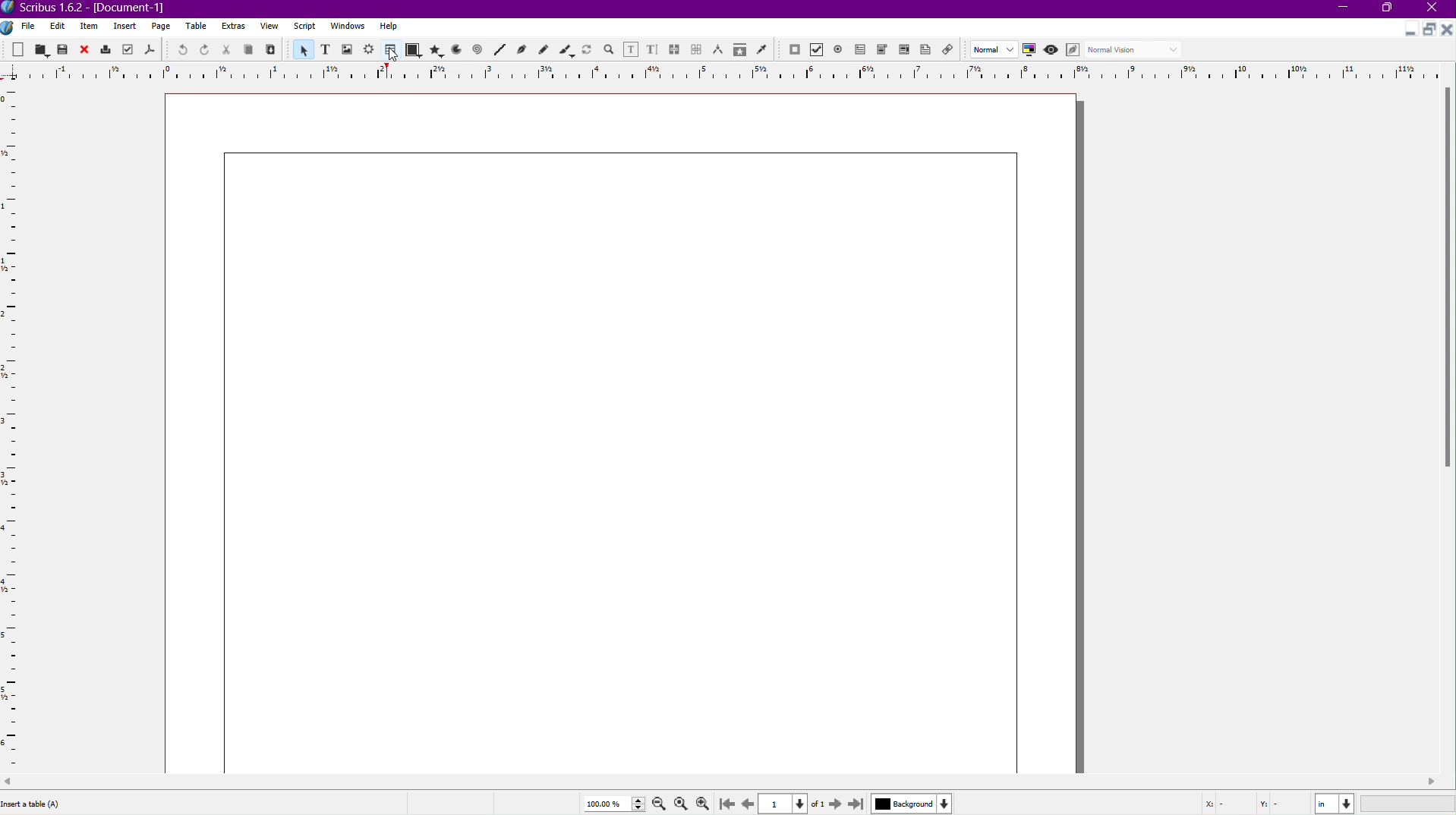  I want to click on Maximize, so click(1390, 10).